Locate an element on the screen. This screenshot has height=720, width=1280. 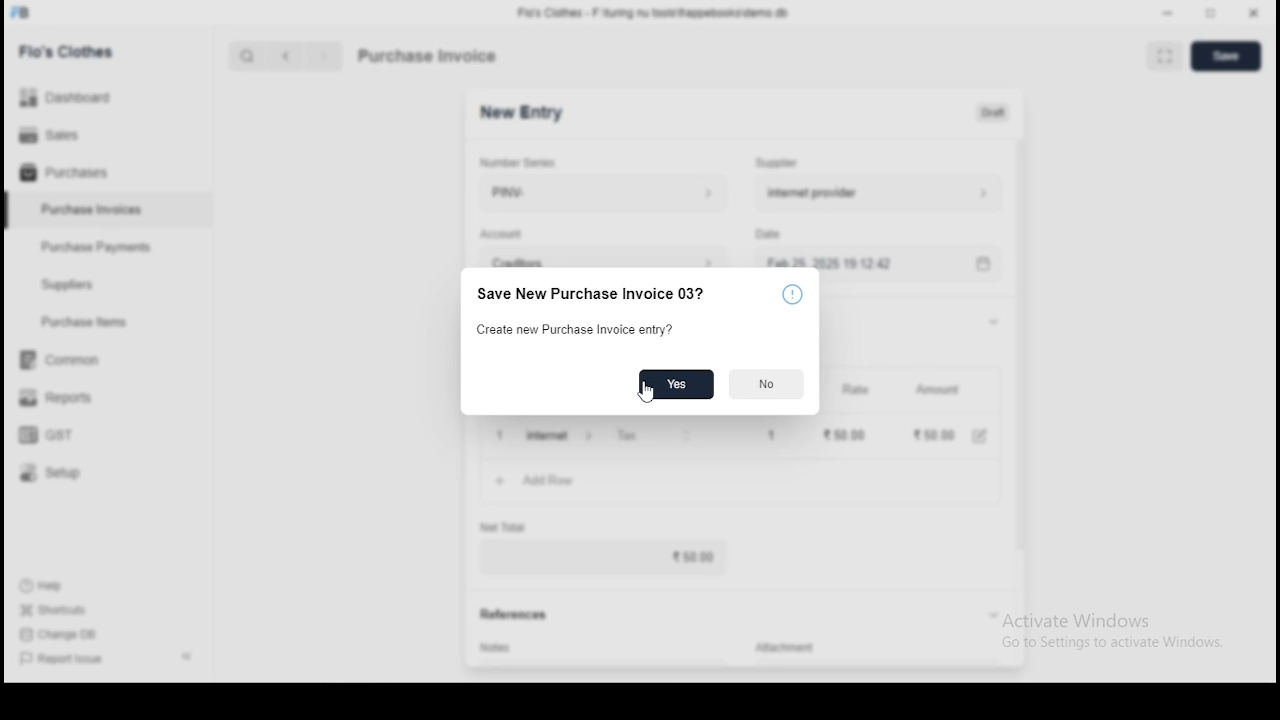
mouse pointer is located at coordinates (650, 394).